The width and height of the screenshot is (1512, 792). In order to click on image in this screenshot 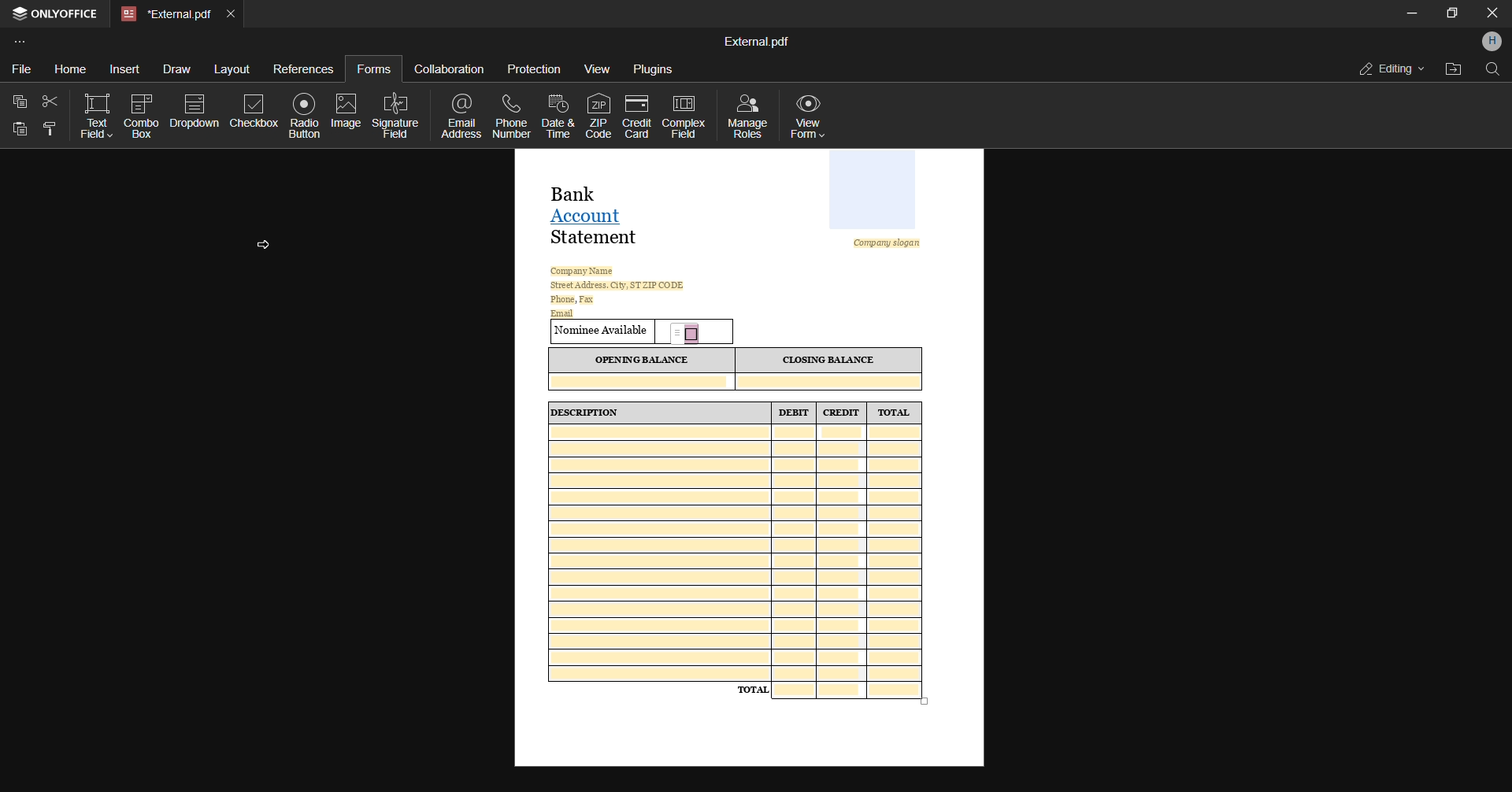, I will do `click(347, 111)`.